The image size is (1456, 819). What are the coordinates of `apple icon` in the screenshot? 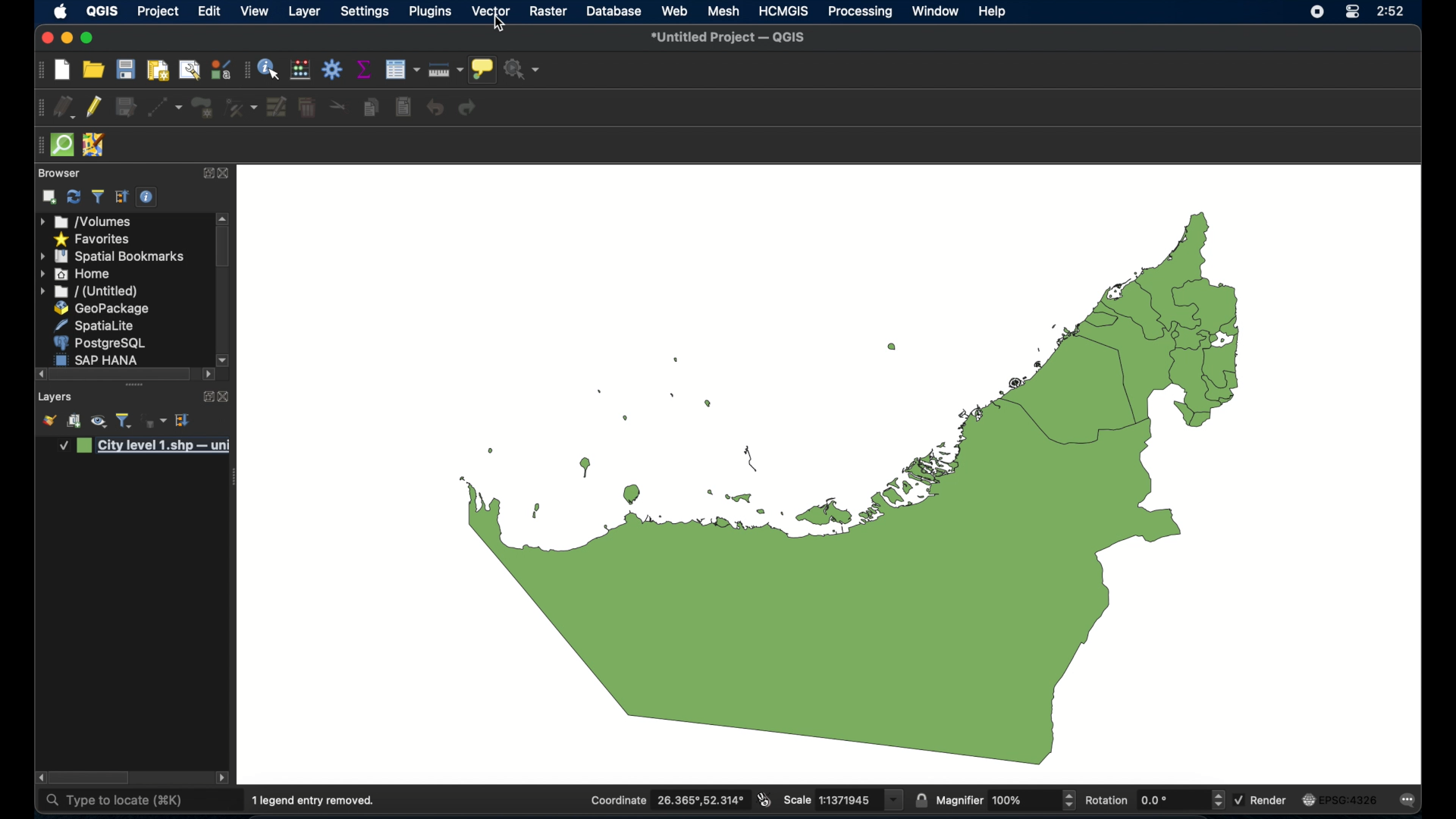 It's located at (61, 11).